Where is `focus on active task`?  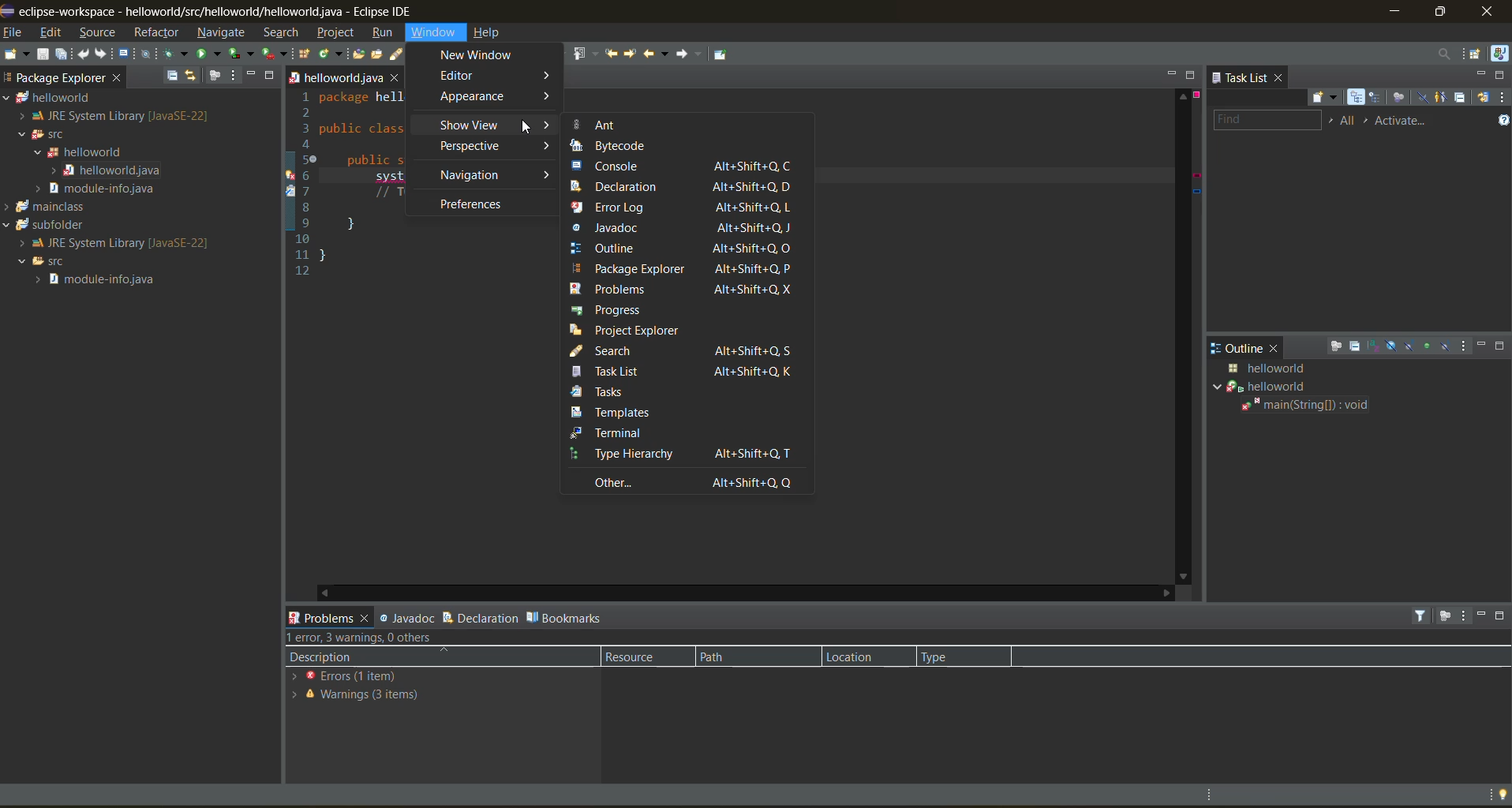
focus on active task is located at coordinates (1450, 614).